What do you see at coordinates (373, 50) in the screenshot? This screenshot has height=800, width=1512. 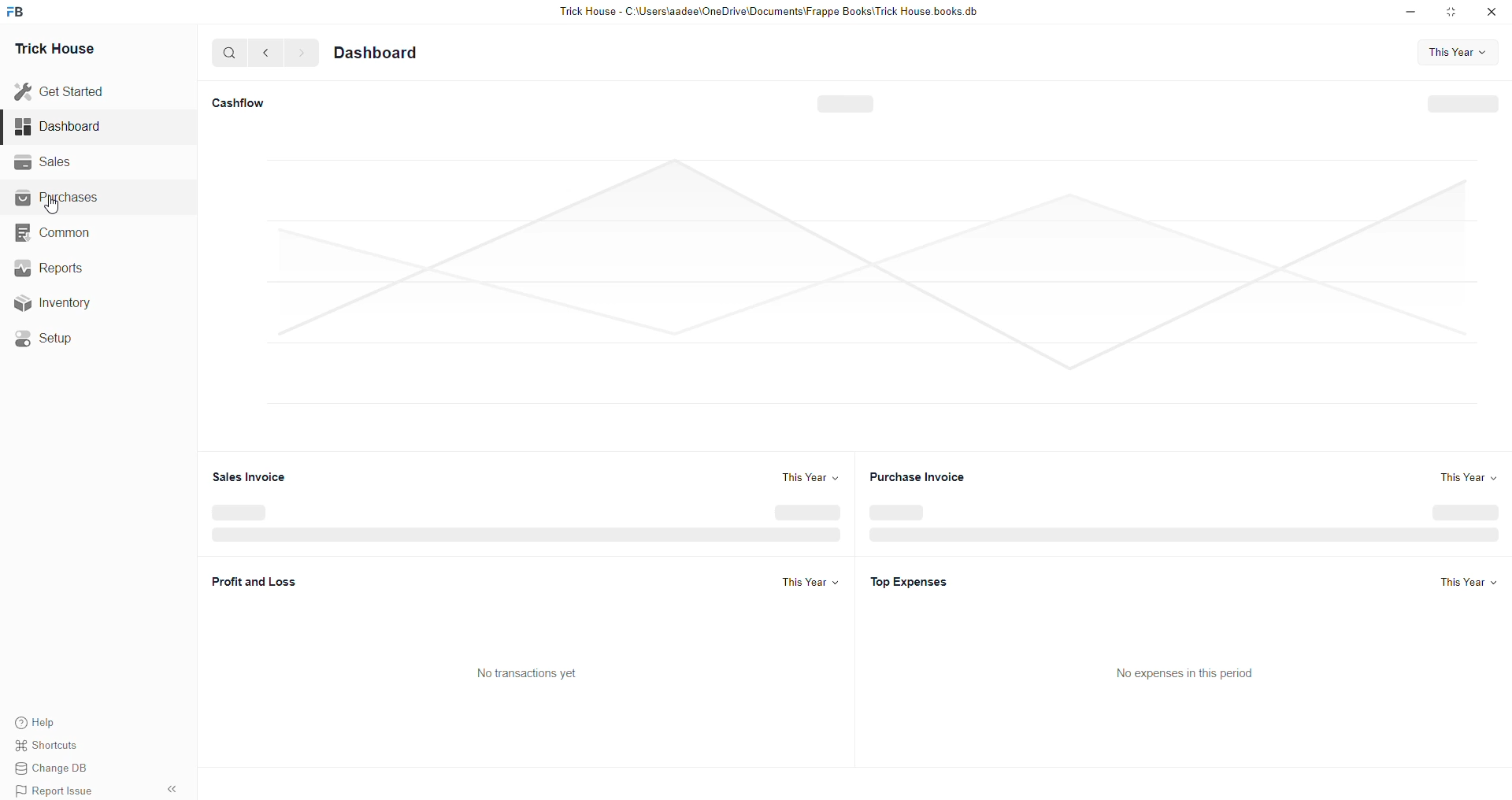 I see `Dashboard` at bounding box center [373, 50].